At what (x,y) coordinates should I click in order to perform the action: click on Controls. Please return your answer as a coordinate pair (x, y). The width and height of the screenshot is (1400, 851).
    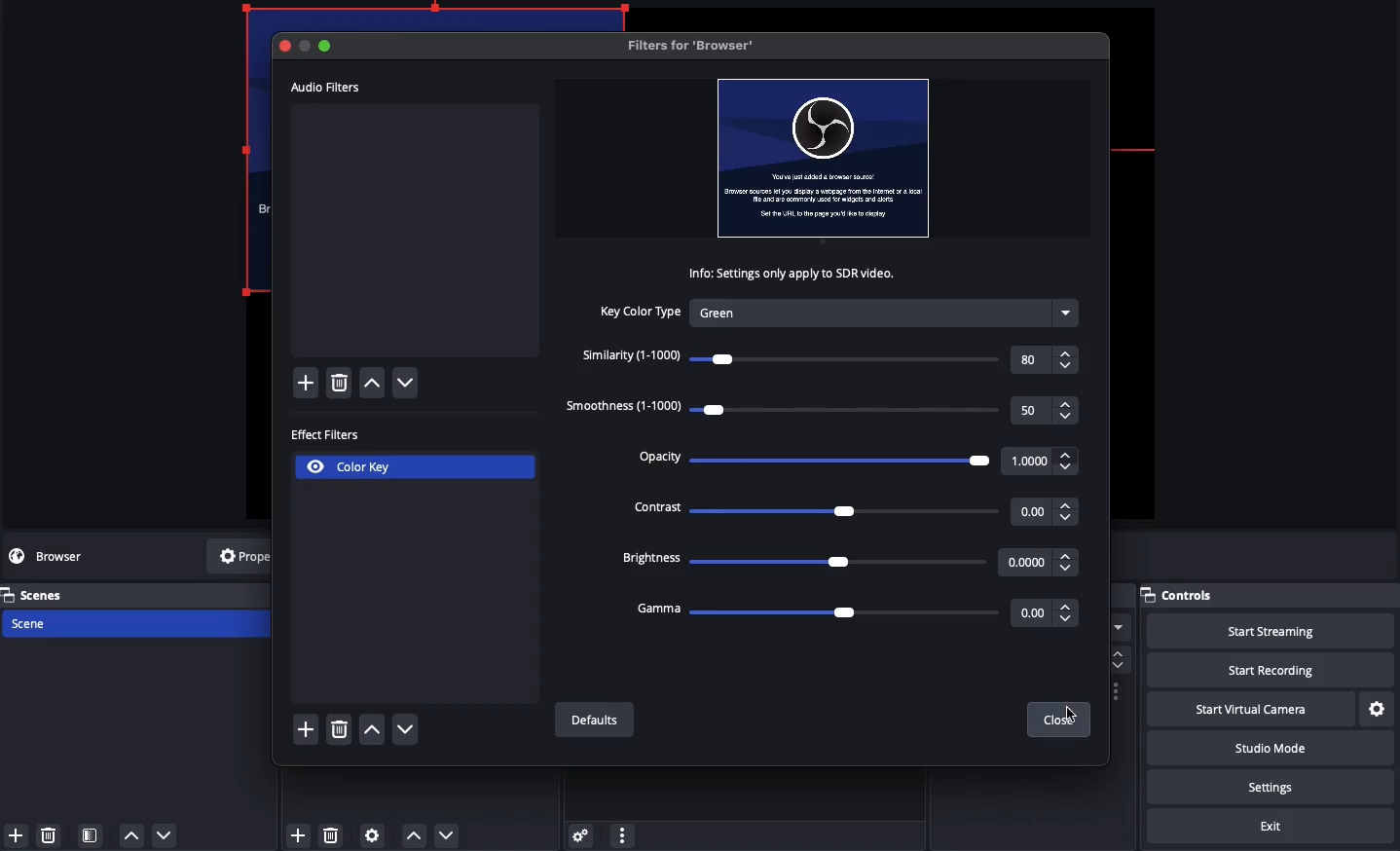
    Looking at the image, I should click on (1268, 595).